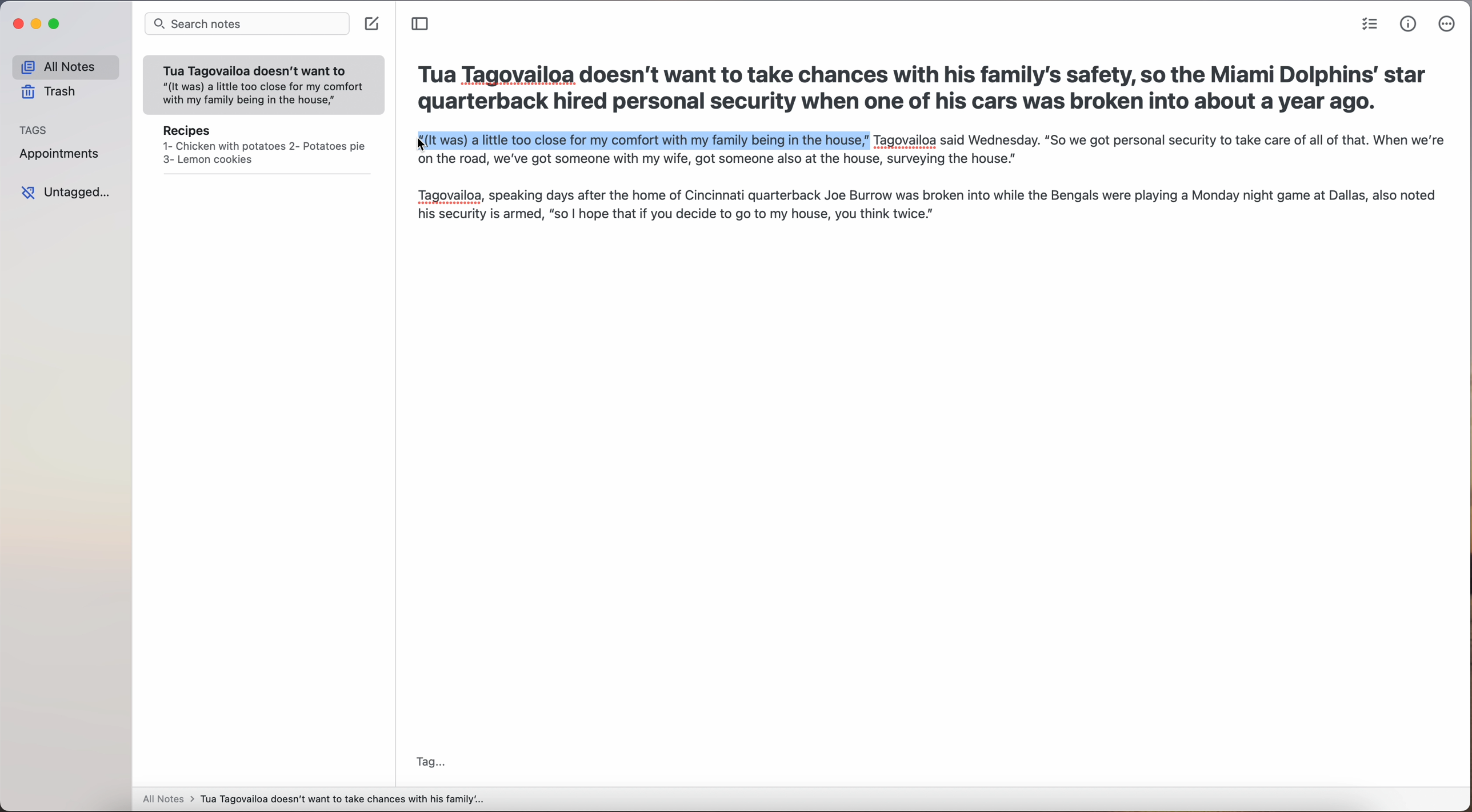 The image size is (1472, 812). I want to click on cursor, so click(414, 146).